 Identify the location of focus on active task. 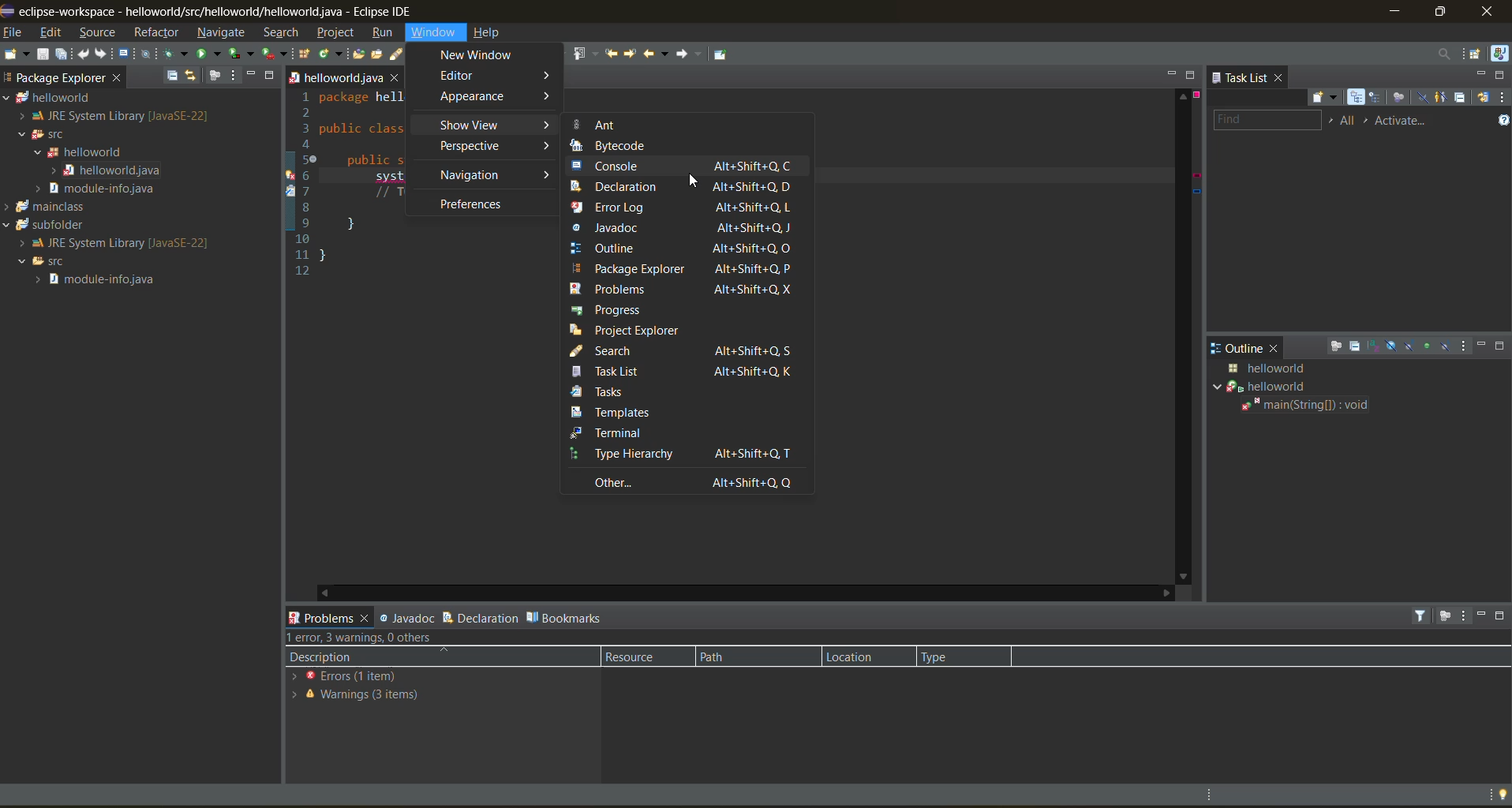
(217, 74).